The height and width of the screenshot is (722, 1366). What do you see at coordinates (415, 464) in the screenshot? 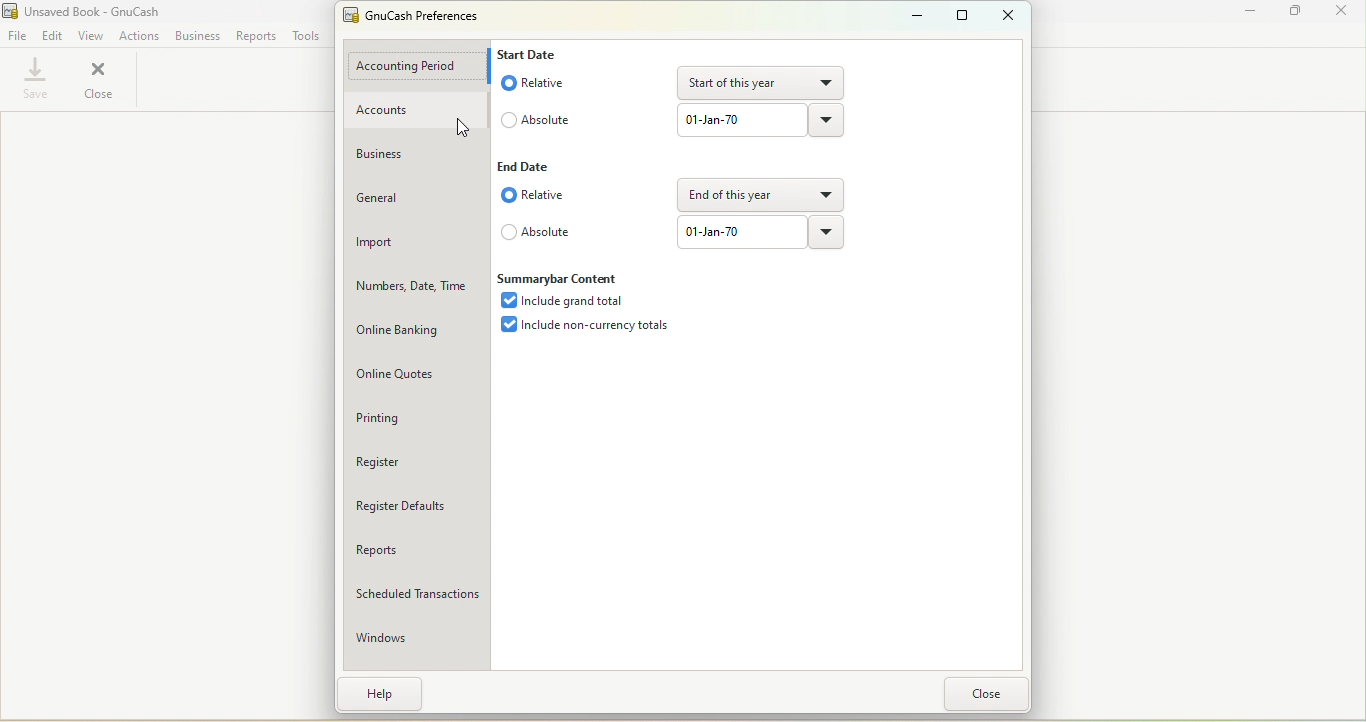
I see `Register` at bounding box center [415, 464].